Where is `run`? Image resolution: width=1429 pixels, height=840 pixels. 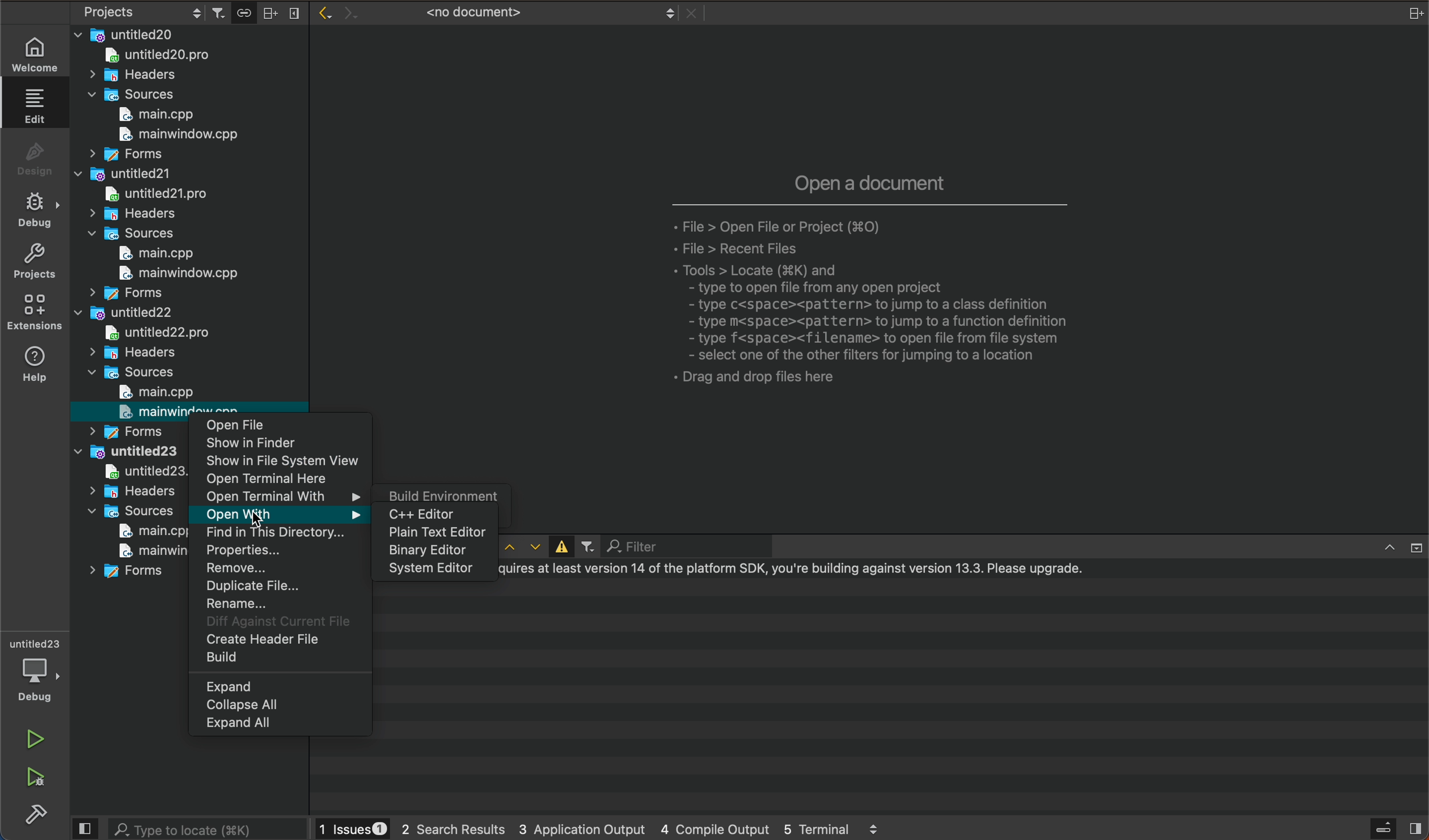 run is located at coordinates (35, 736).